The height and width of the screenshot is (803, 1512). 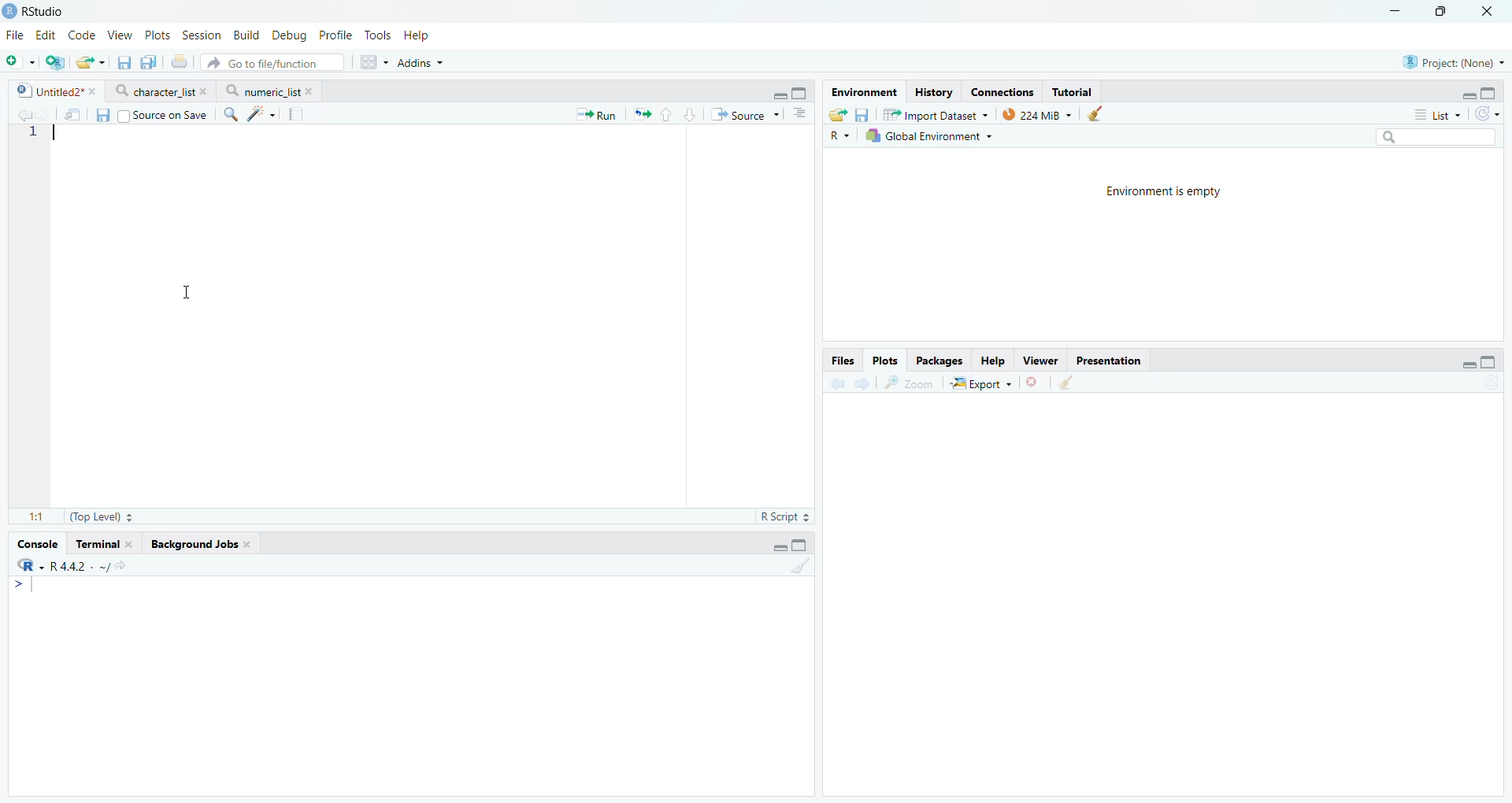 I want to click on Debug, so click(x=289, y=35).